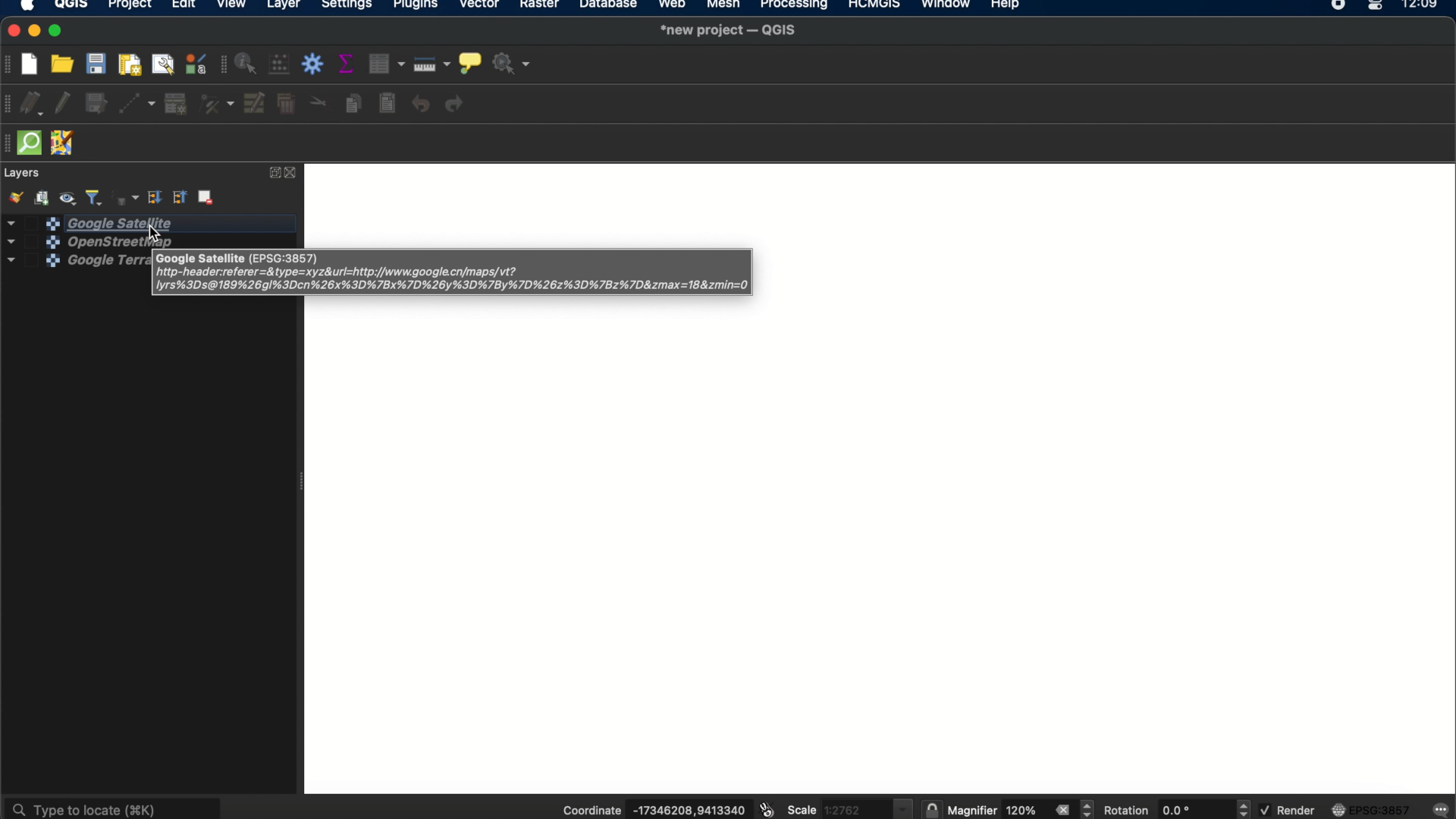  I want to click on HCMGIS, so click(873, 6).